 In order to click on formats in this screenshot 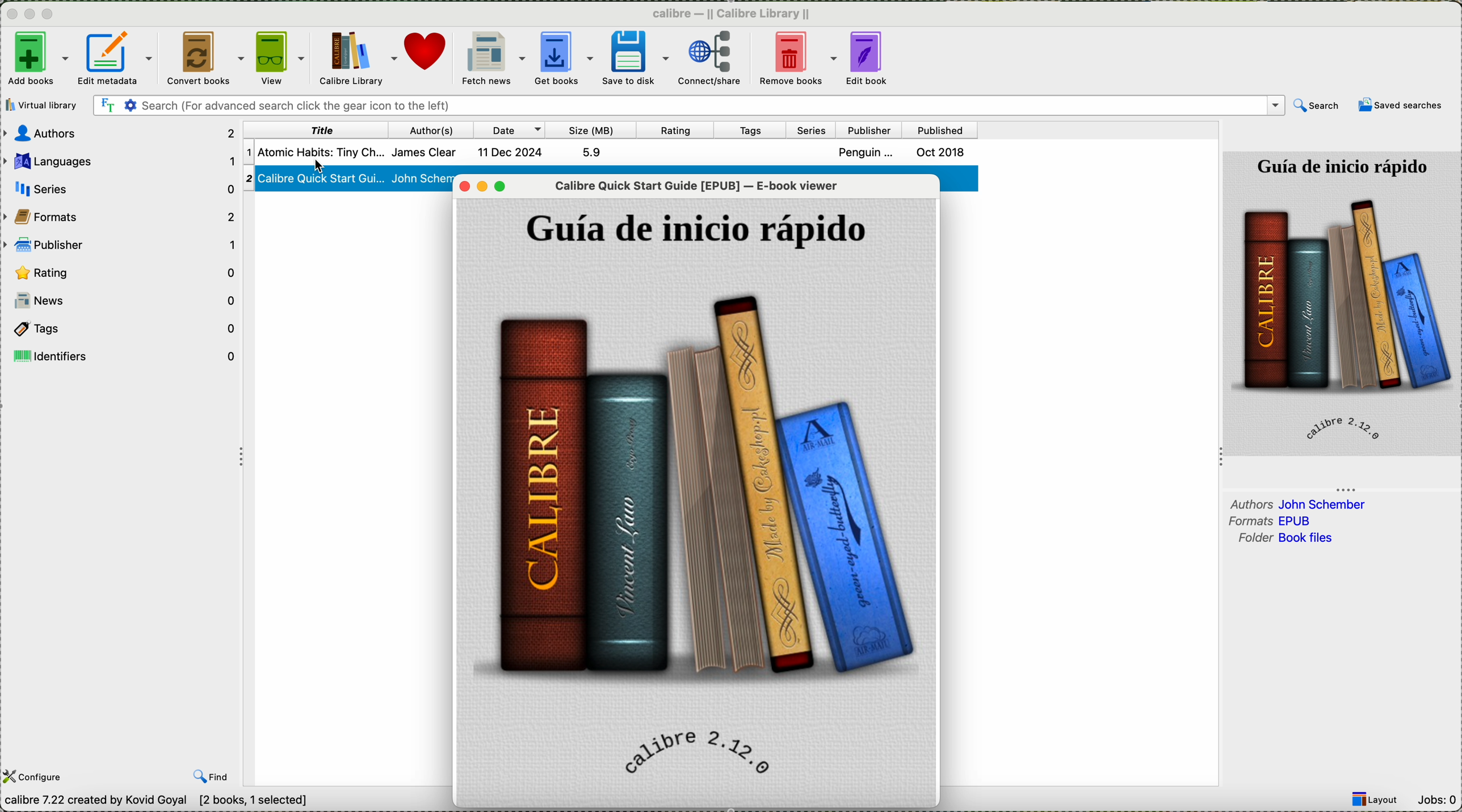, I will do `click(121, 214)`.